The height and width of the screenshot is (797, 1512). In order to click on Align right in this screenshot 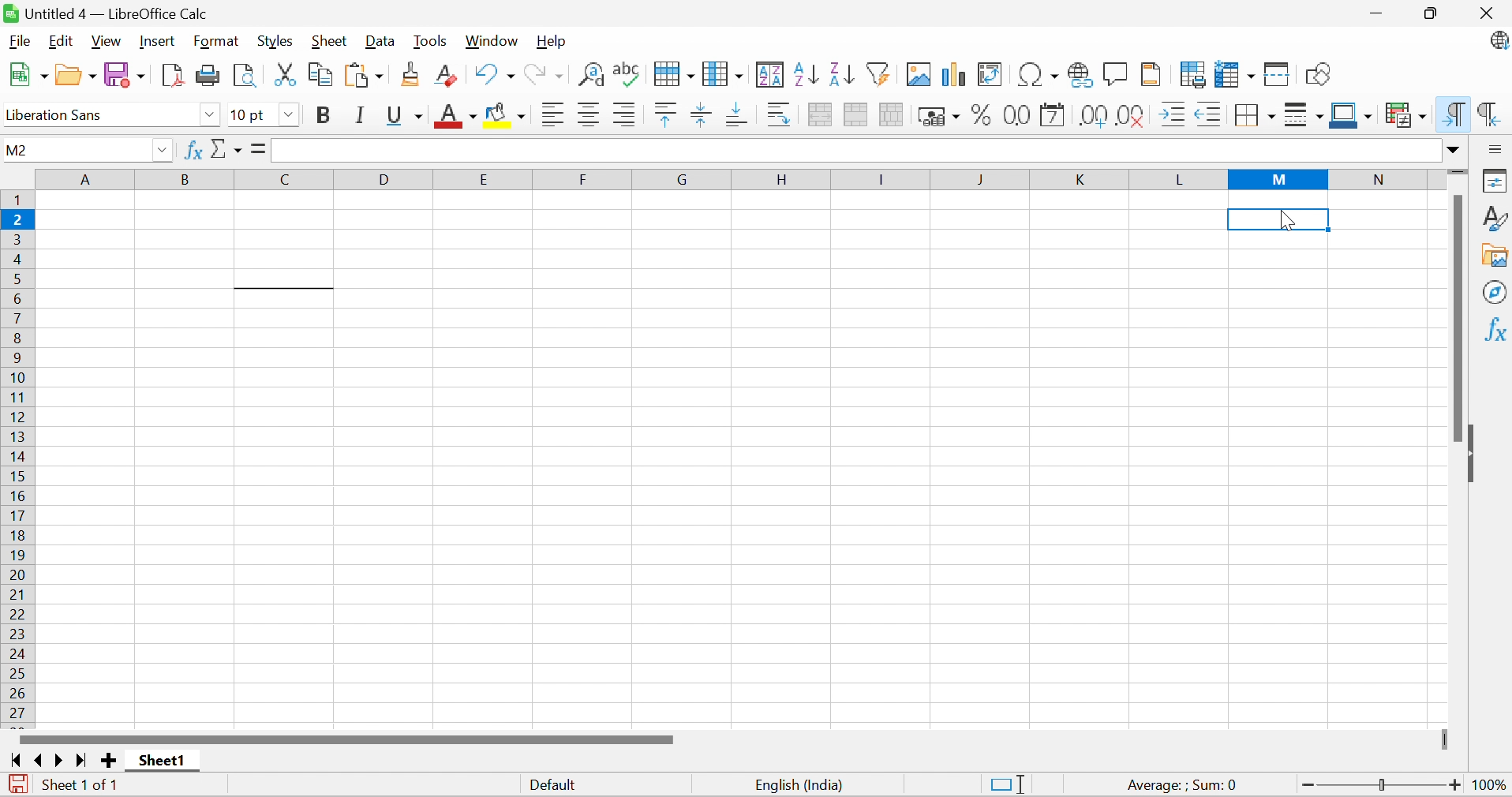, I will do `click(625, 116)`.